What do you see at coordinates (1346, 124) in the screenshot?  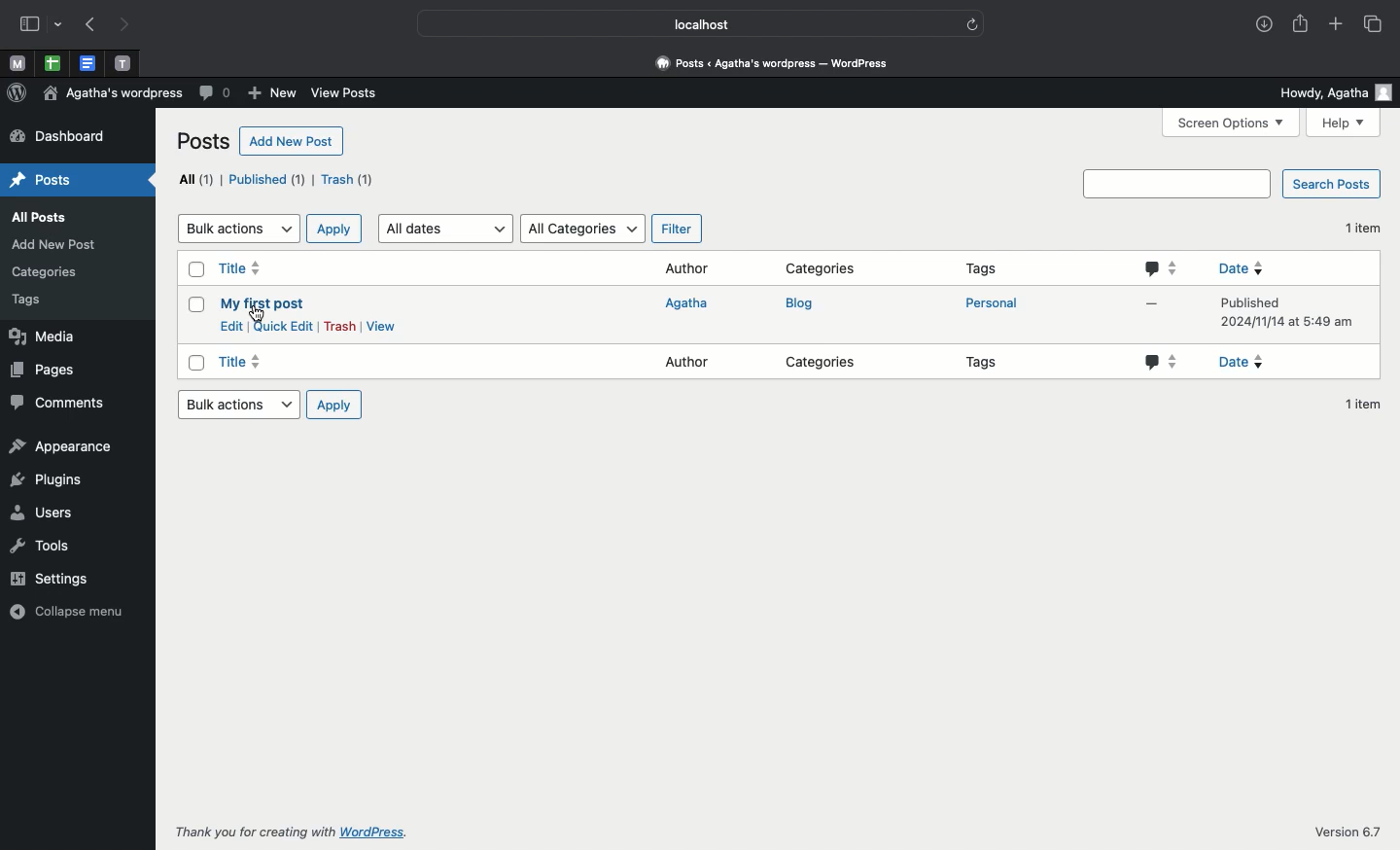 I see `Help` at bounding box center [1346, 124].